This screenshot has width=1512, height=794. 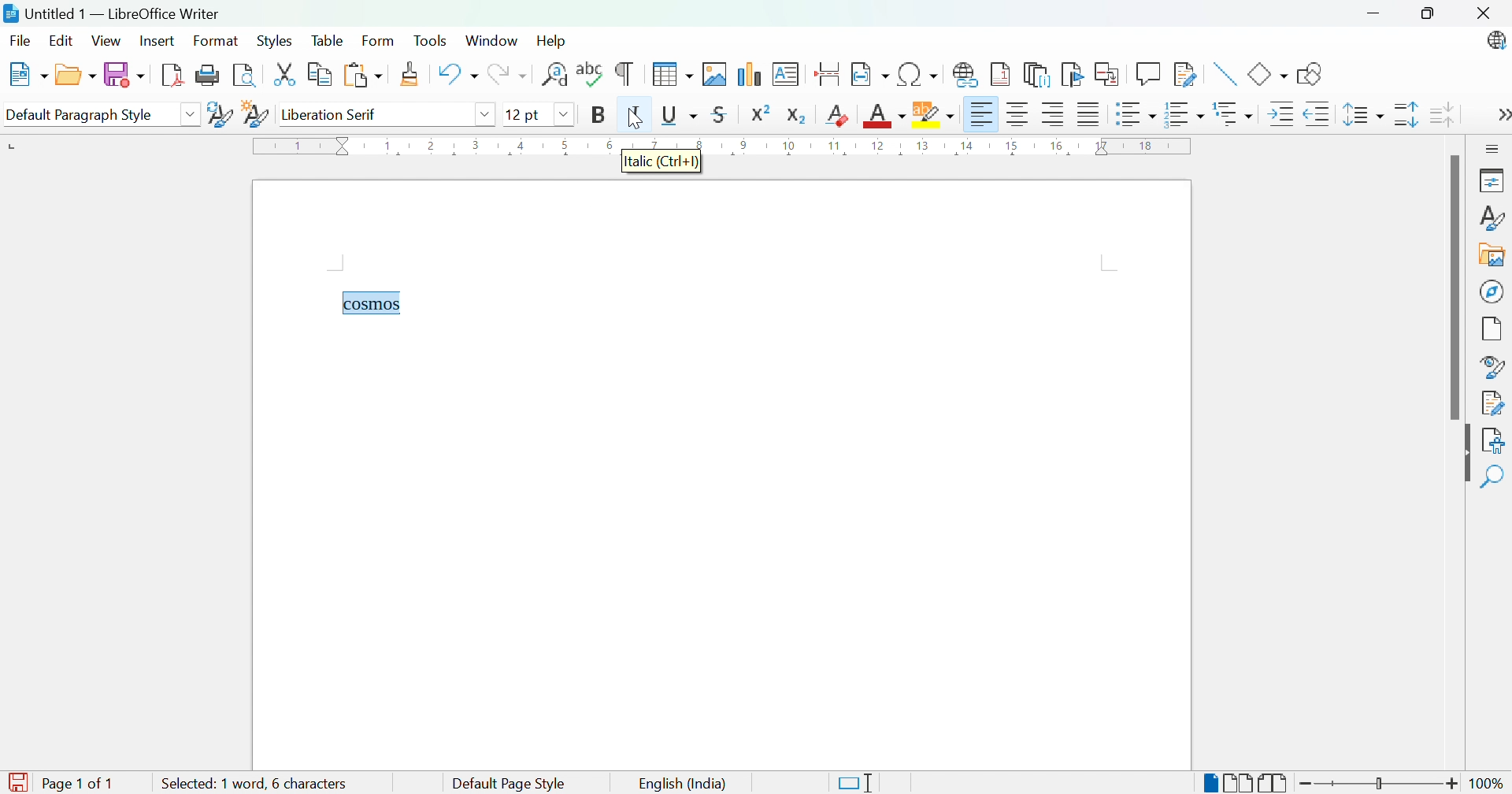 What do you see at coordinates (934, 114) in the screenshot?
I see `Character highlighting color` at bounding box center [934, 114].